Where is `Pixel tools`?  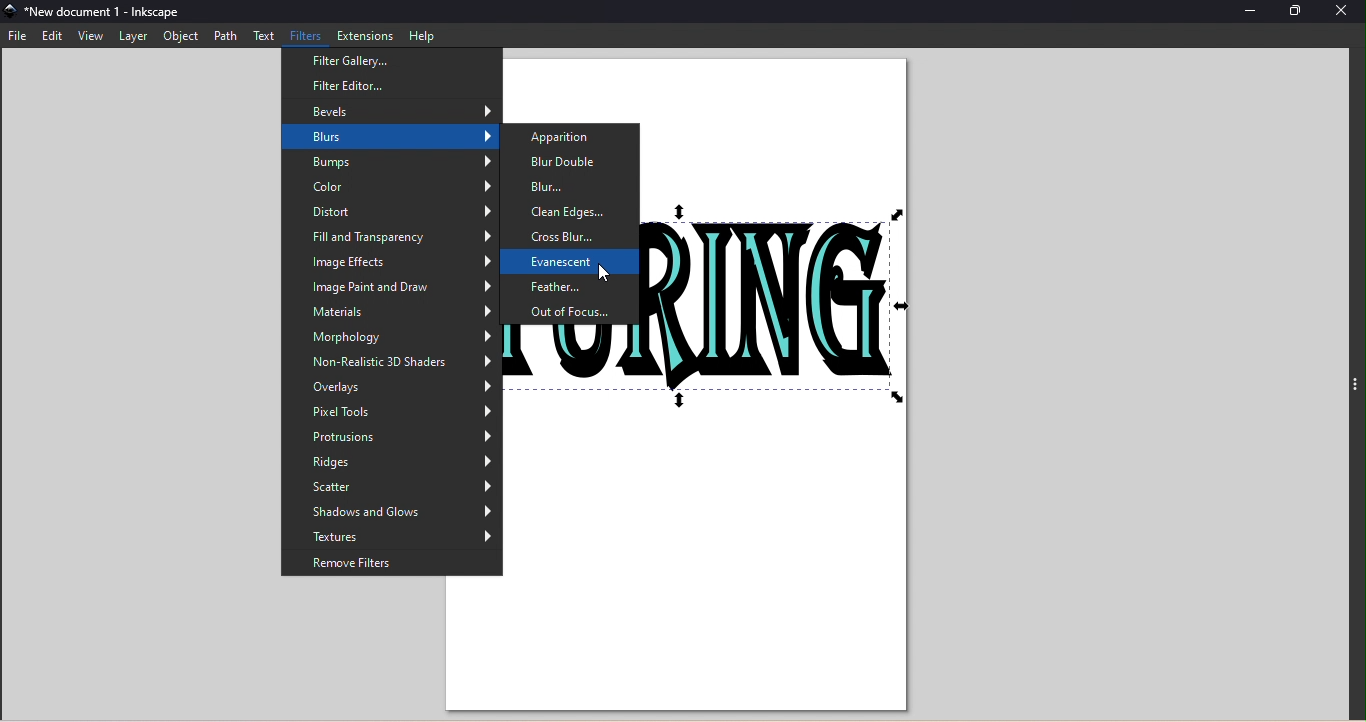
Pixel tools is located at coordinates (391, 409).